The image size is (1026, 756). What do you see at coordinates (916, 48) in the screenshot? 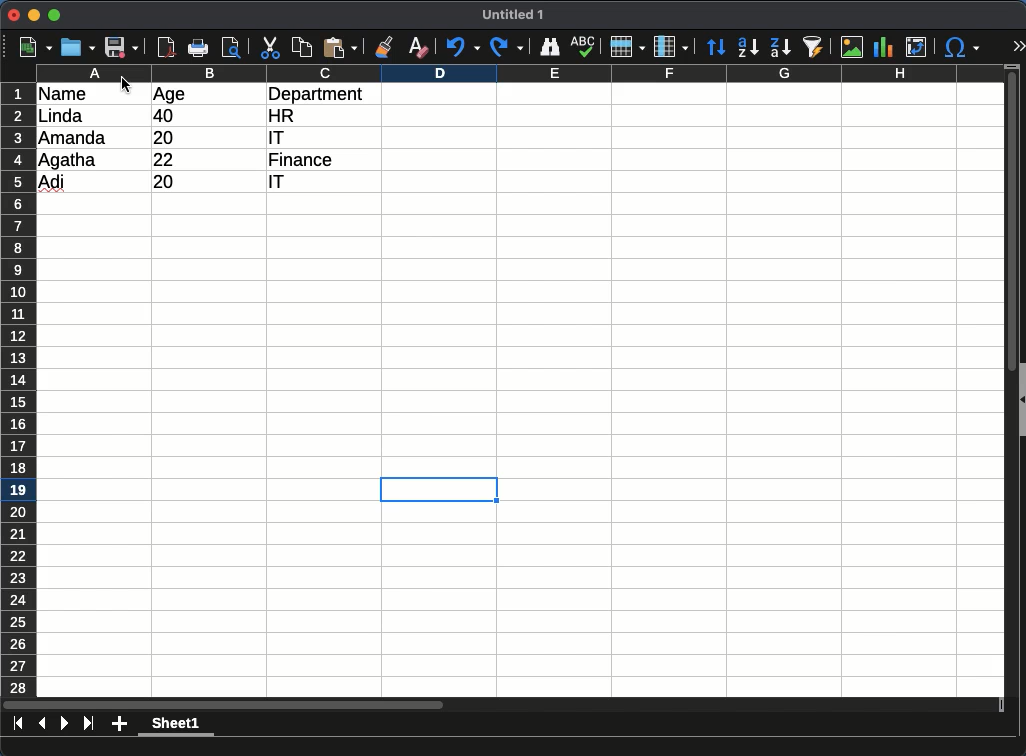
I see `pivot table` at bounding box center [916, 48].